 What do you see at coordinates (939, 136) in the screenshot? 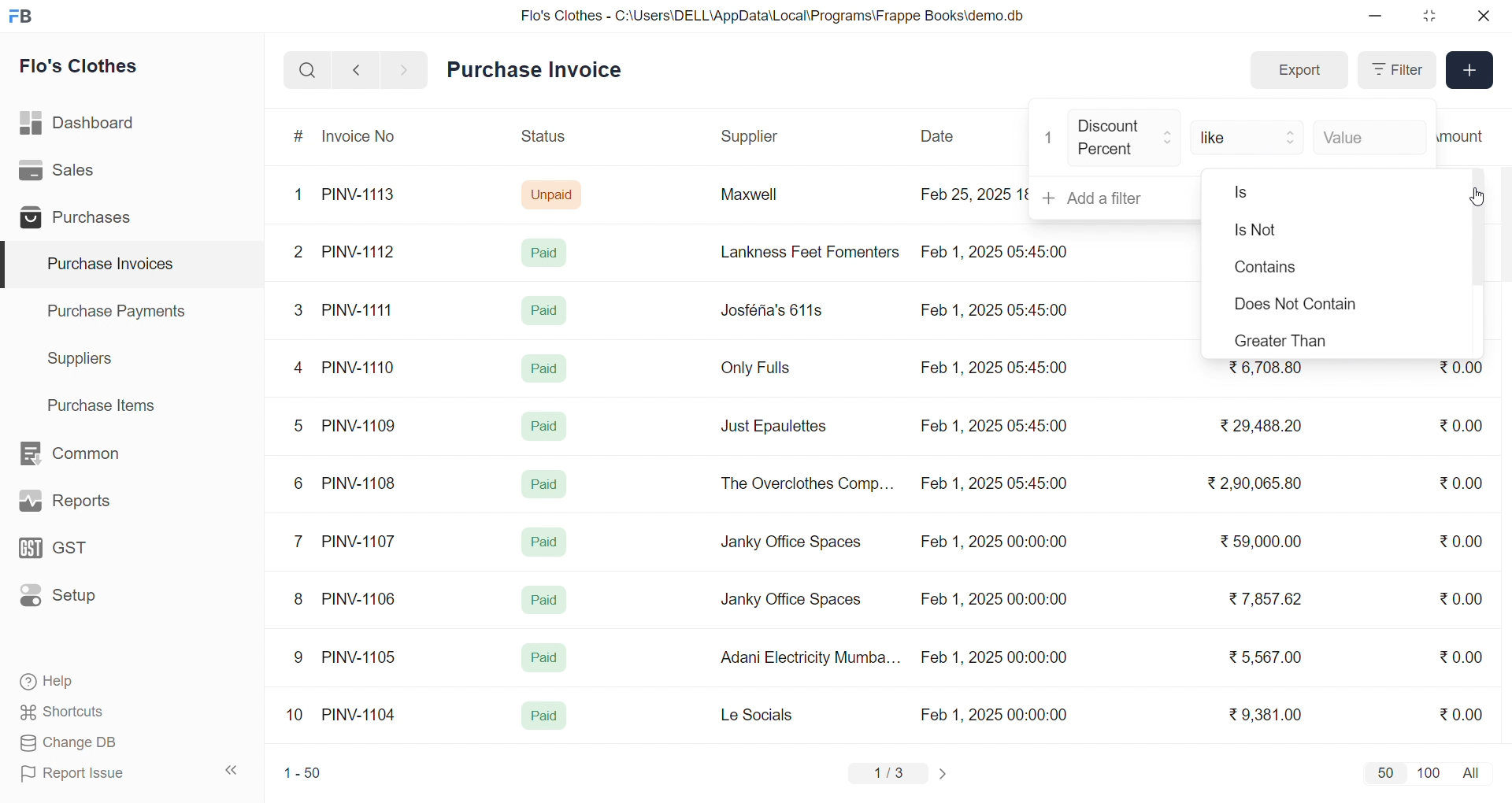
I see `Date` at bounding box center [939, 136].